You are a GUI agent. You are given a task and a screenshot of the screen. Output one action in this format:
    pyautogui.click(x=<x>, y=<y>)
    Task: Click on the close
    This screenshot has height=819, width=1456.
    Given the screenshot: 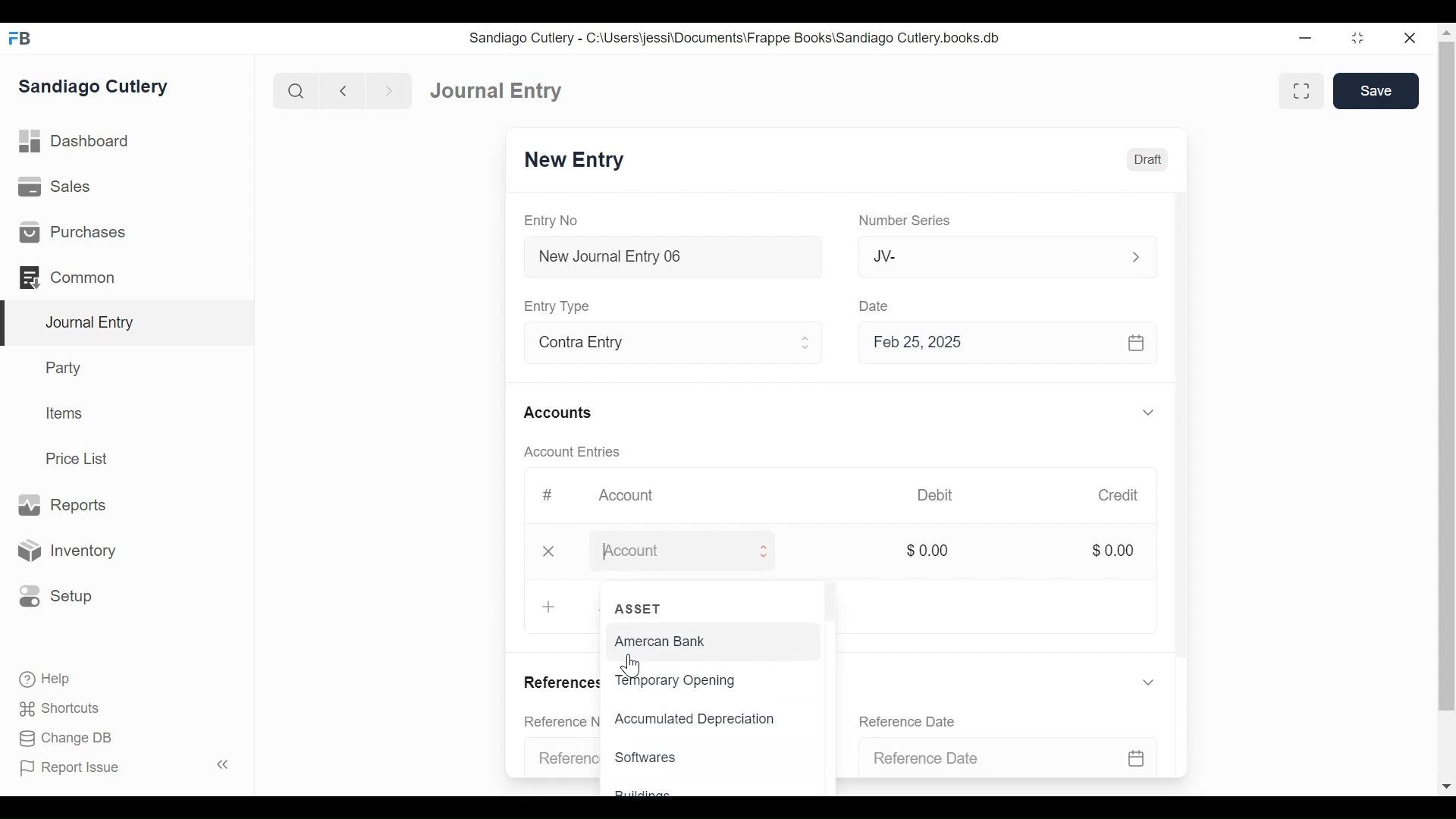 What is the action you would take?
    pyautogui.click(x=549, y=549)
    